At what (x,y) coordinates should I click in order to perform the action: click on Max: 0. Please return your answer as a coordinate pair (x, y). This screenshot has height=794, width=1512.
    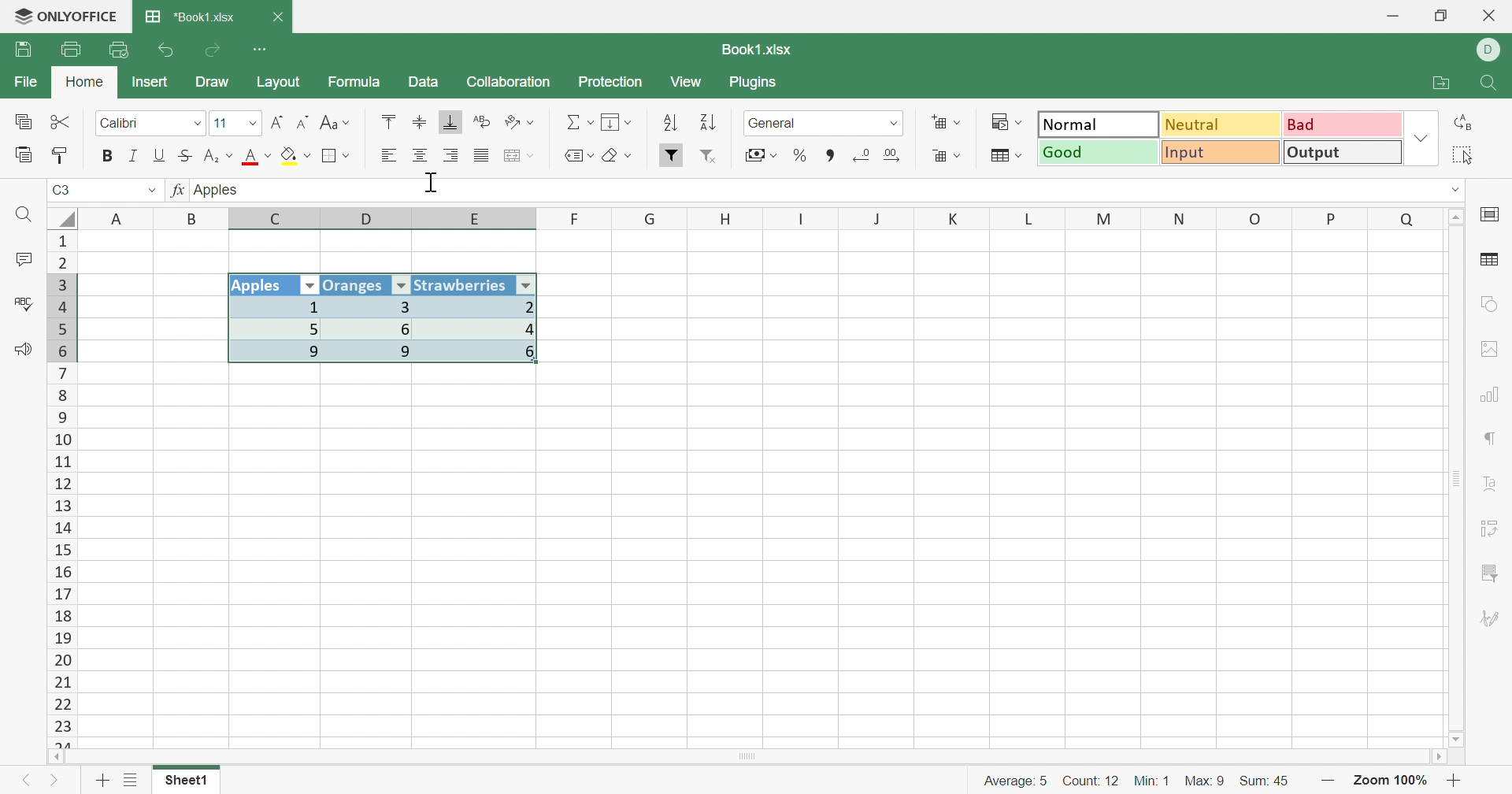
    Looking at the image, I should click on (1206, 777).